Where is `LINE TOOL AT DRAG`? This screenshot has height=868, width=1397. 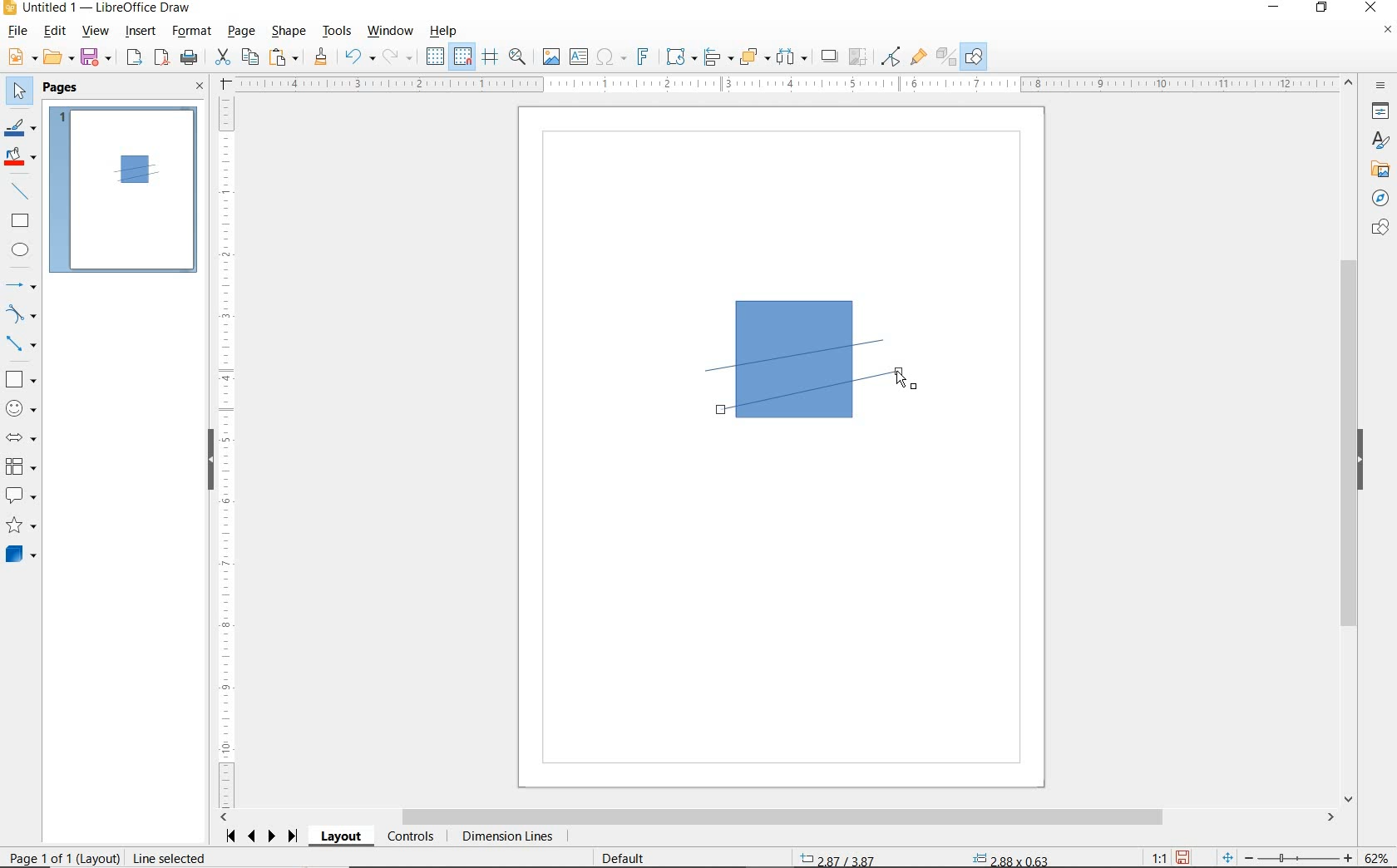 LINE TOOL AT DRAG is located at coordinates (886, 339).